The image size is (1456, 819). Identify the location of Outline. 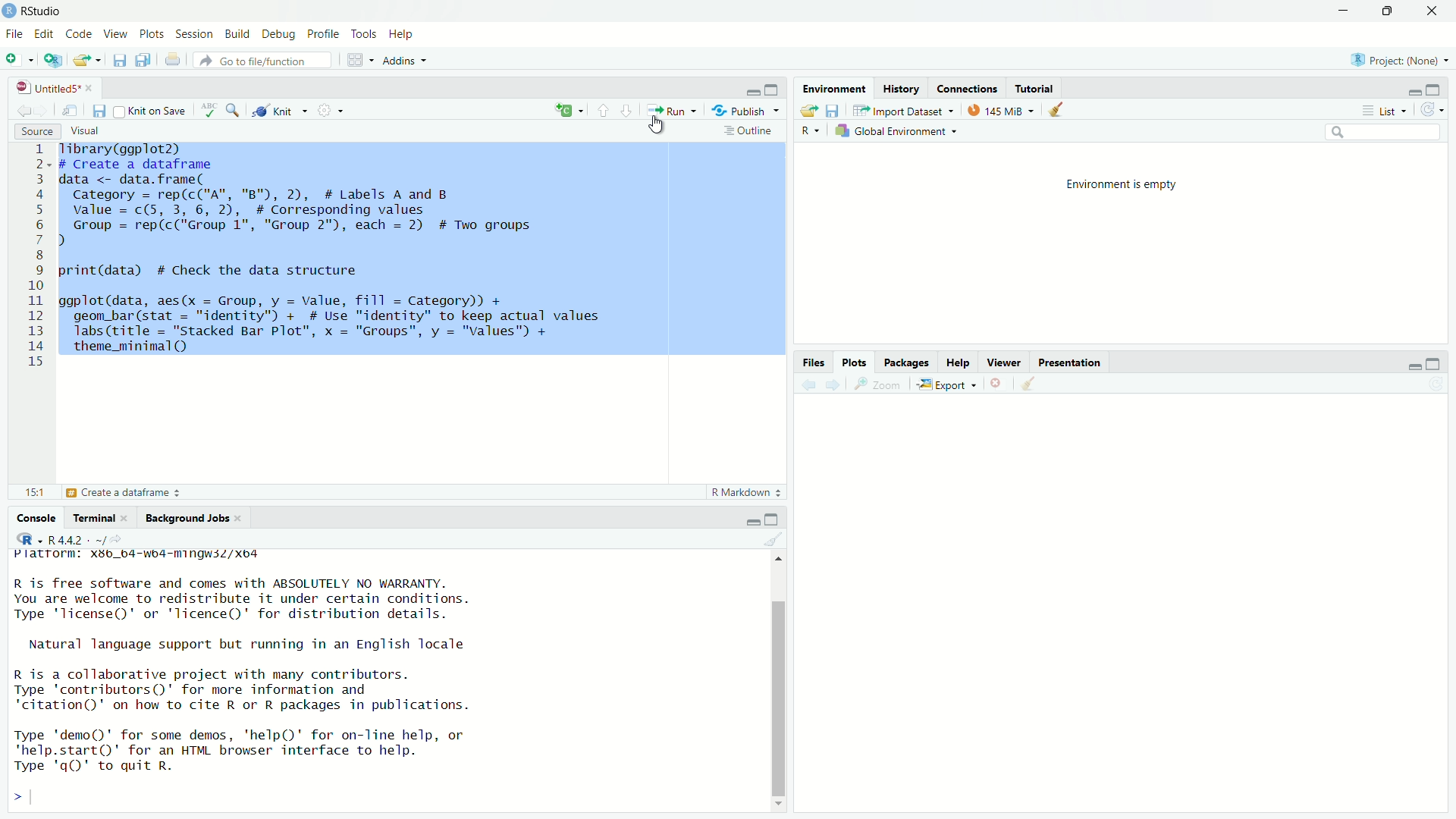
(752, 131).